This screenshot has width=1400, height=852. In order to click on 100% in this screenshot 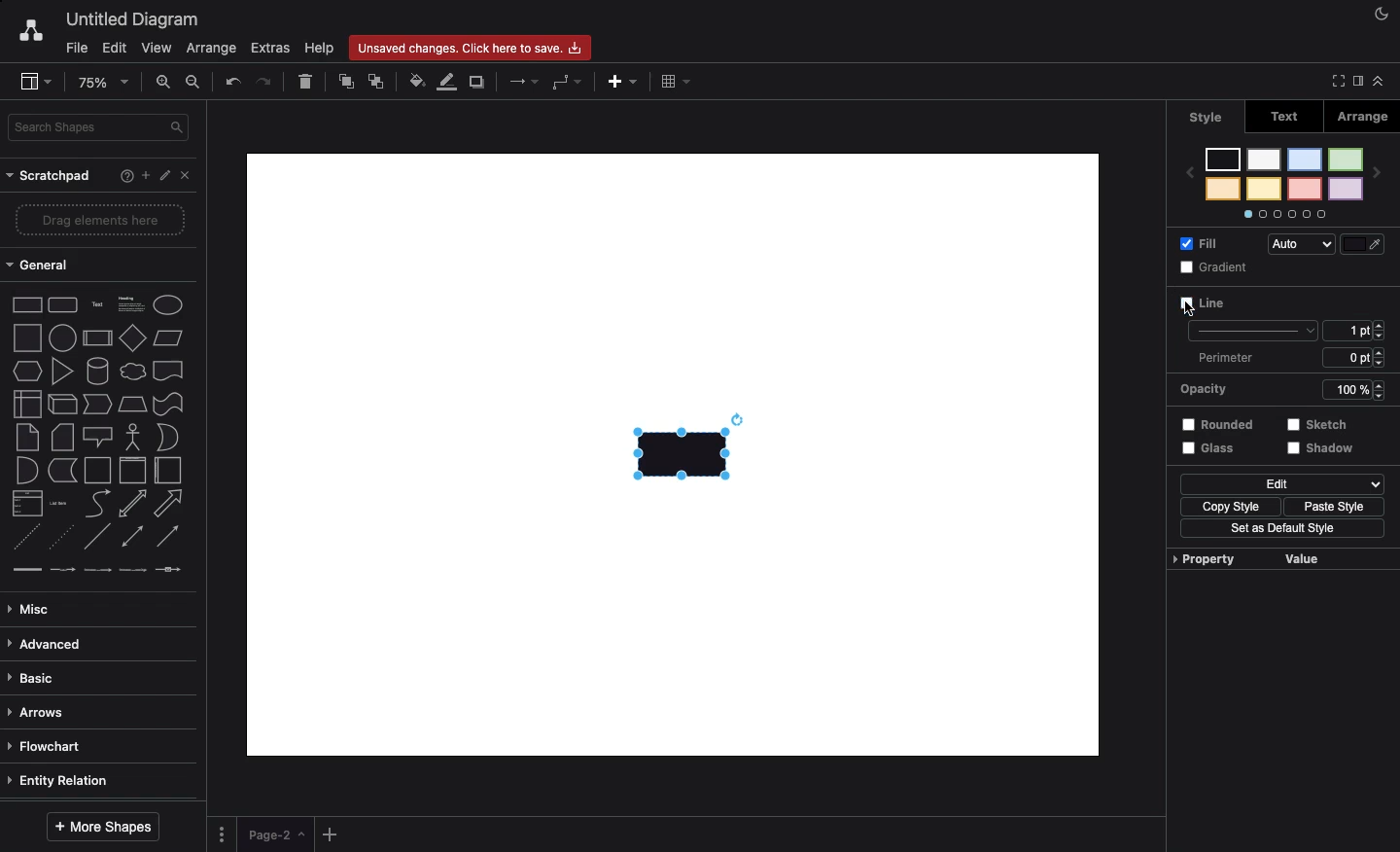, I will do `click(1355, 391)`.